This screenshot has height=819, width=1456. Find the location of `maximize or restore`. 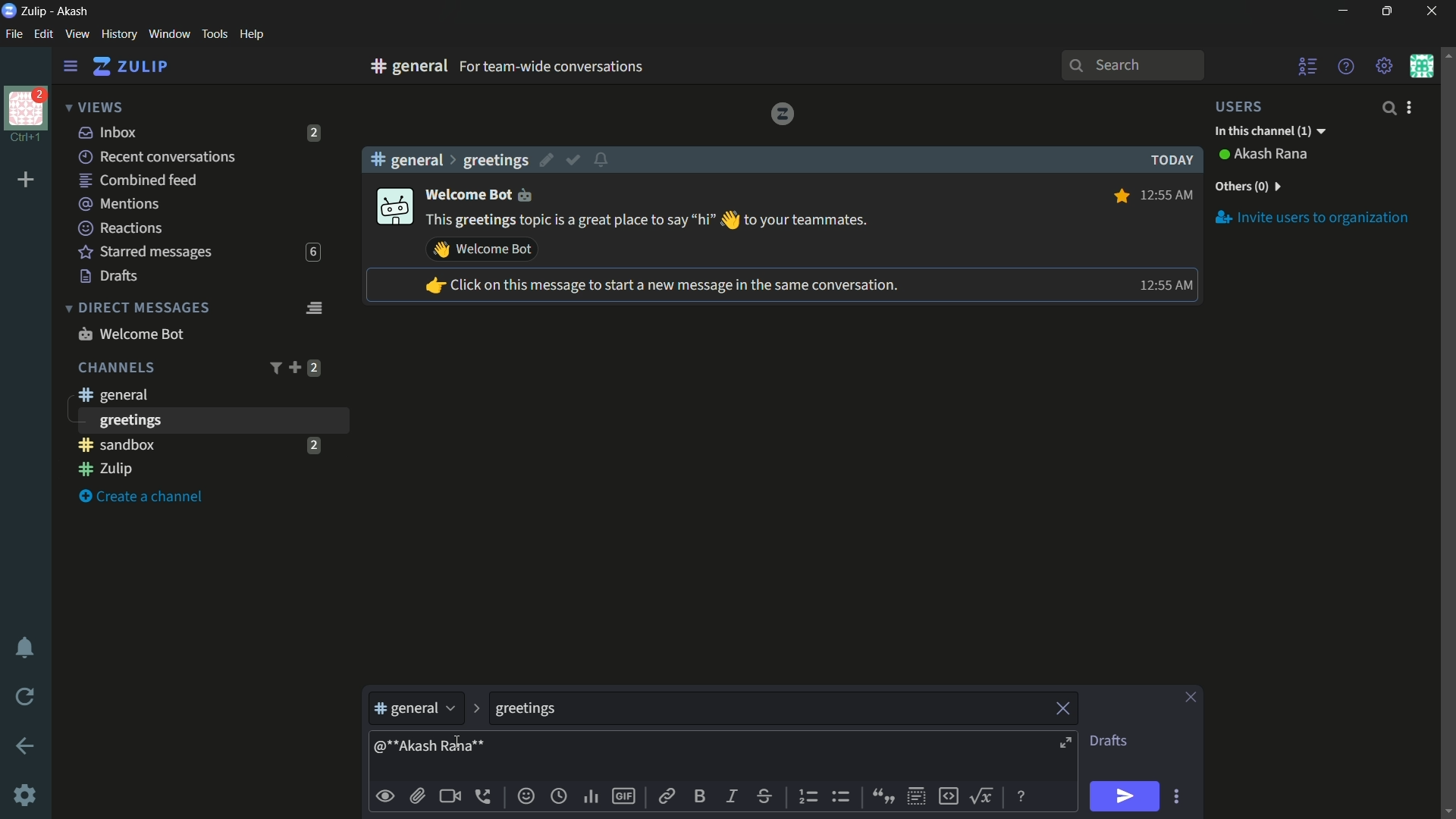

maximize or restore is located at coordinates (1389, 11).